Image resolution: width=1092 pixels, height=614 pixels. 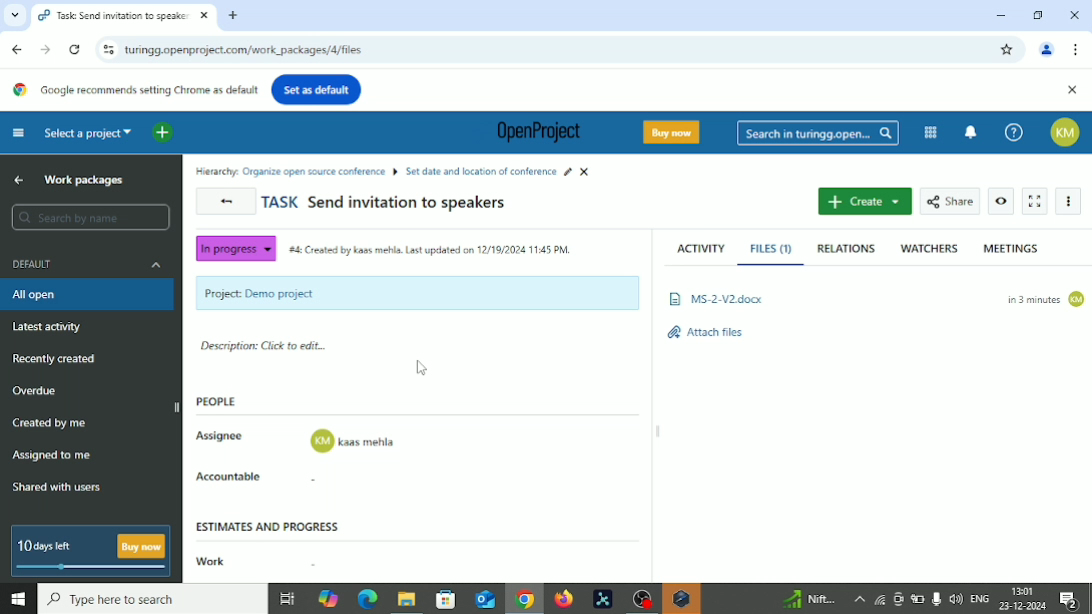 What do you see at coordinates (443, 598) in the screenshot?
I see `Microsoft store` at bounding box center [443, 598].